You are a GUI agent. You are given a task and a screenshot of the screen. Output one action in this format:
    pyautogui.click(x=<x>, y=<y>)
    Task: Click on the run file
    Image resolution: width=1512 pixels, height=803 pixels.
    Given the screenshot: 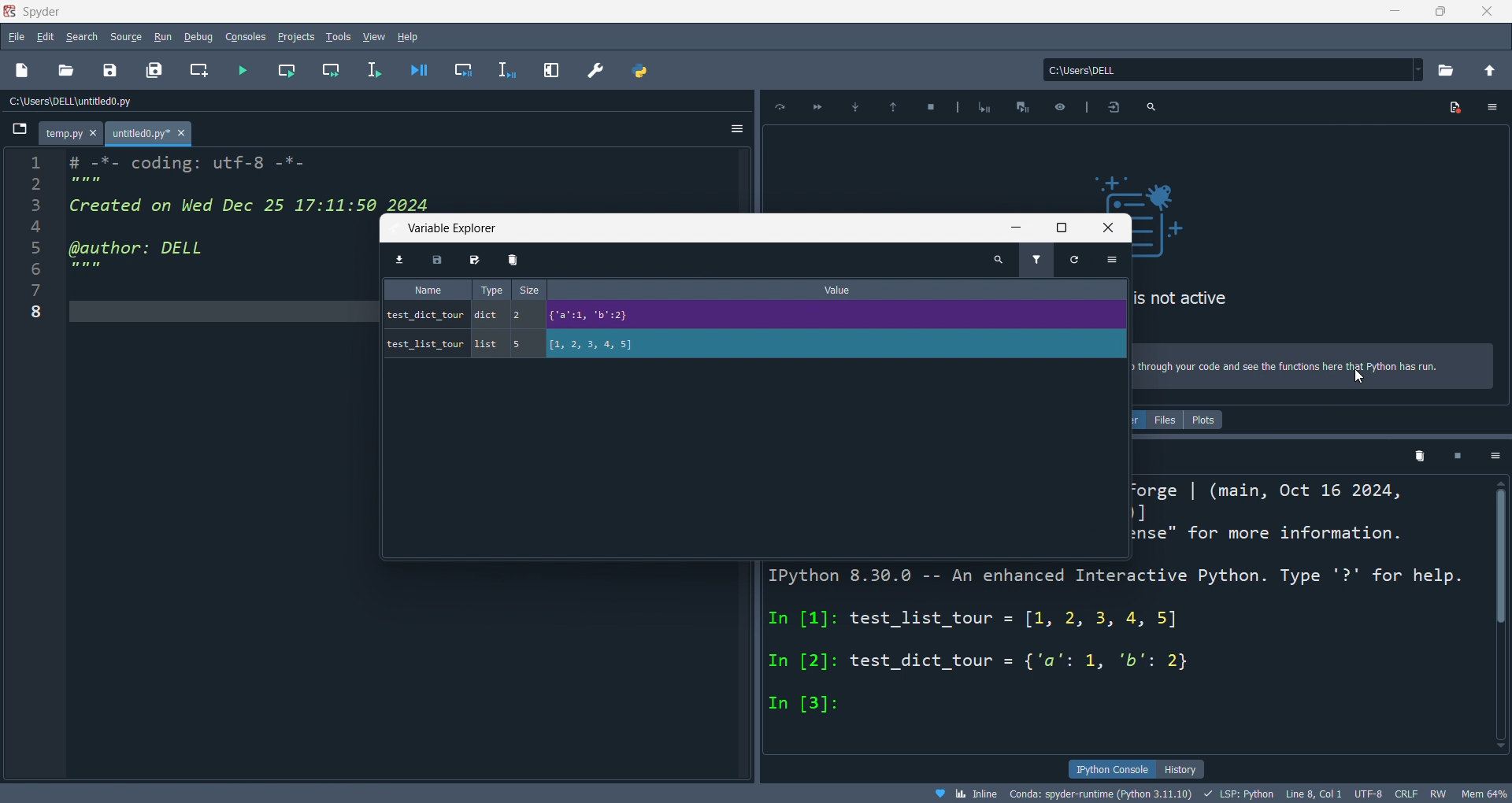 What is the action you would take?
    pyautogui.click(x=240, y=68)
    